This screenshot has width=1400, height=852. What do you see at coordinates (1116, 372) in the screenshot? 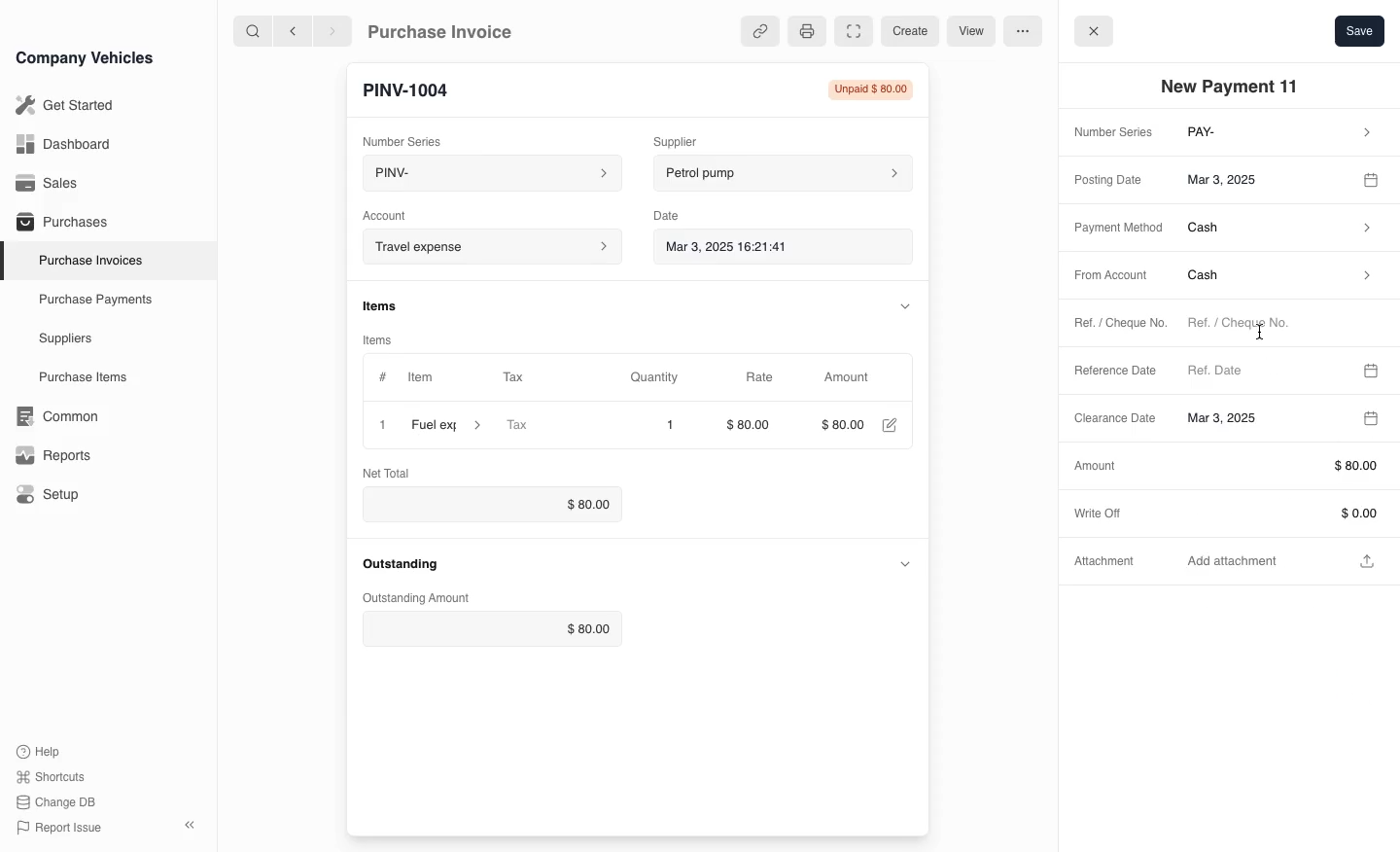
I see `Reference Date` at bounding box center [1116, 372].